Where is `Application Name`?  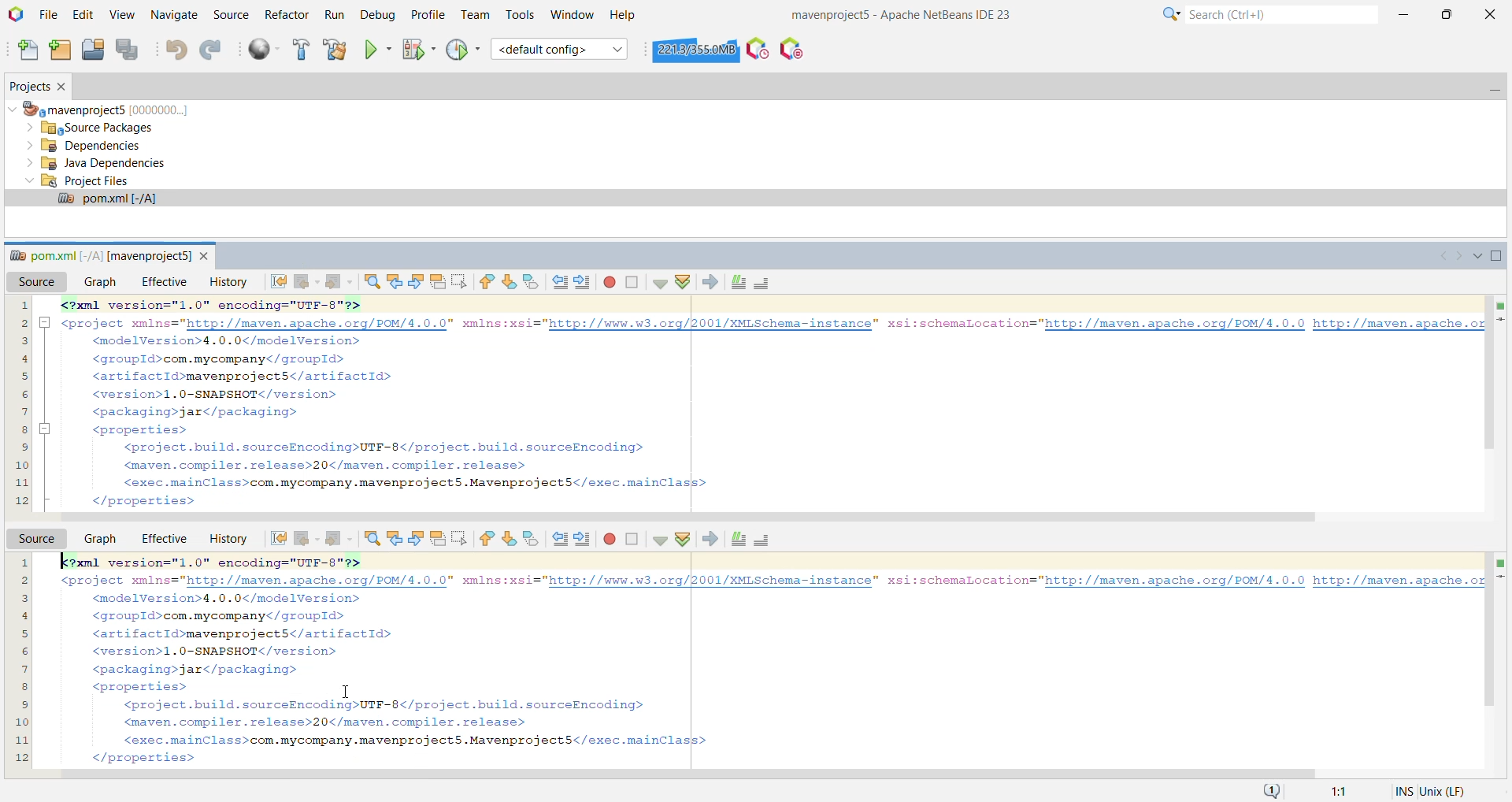 Application Name is located at coordinates (910, 13).